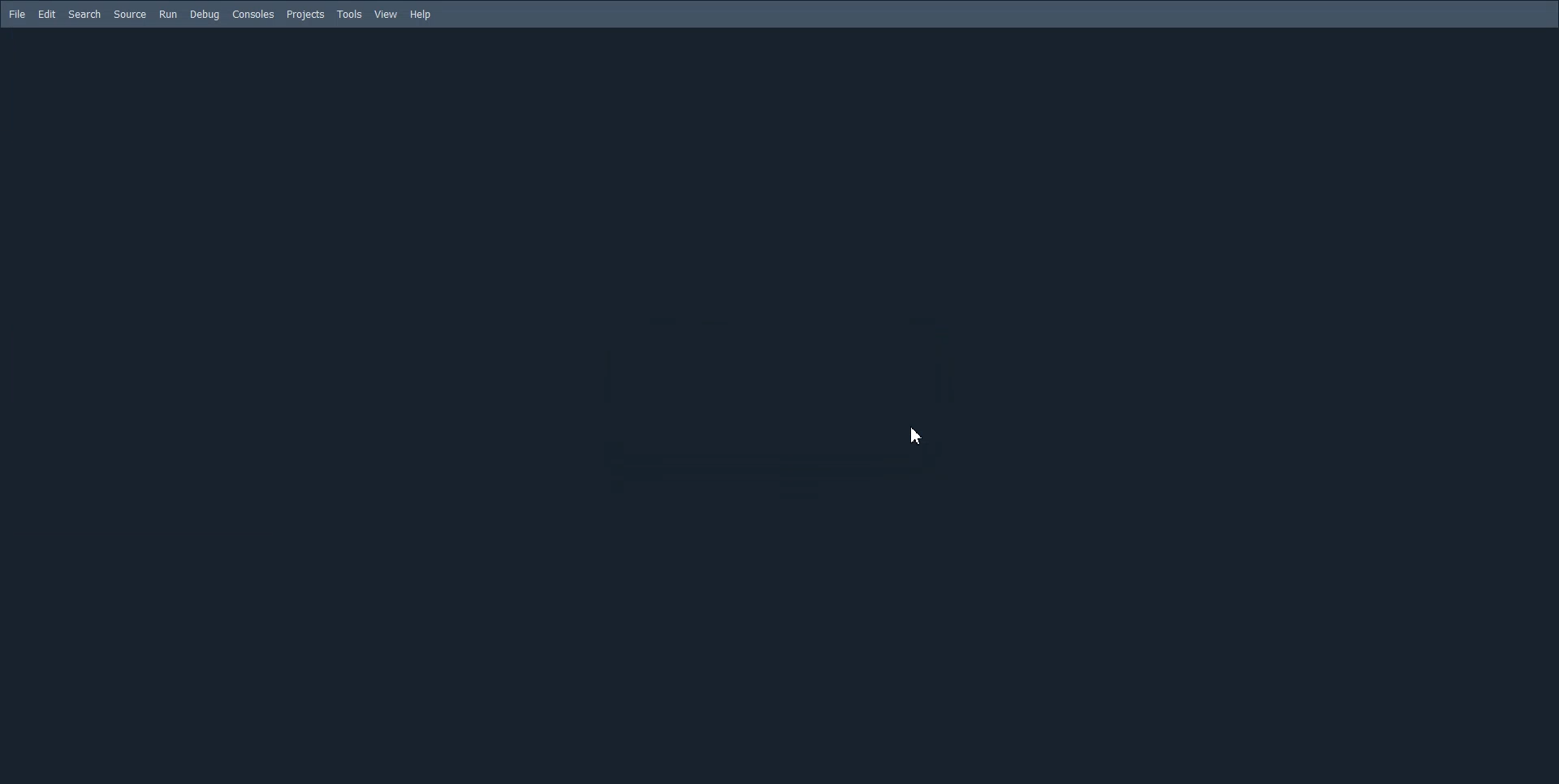 The width and height of the screenshot is (1559, 784). Describe the element at coordinates (84, 15) in the screenshot. I see `Search` at that location.